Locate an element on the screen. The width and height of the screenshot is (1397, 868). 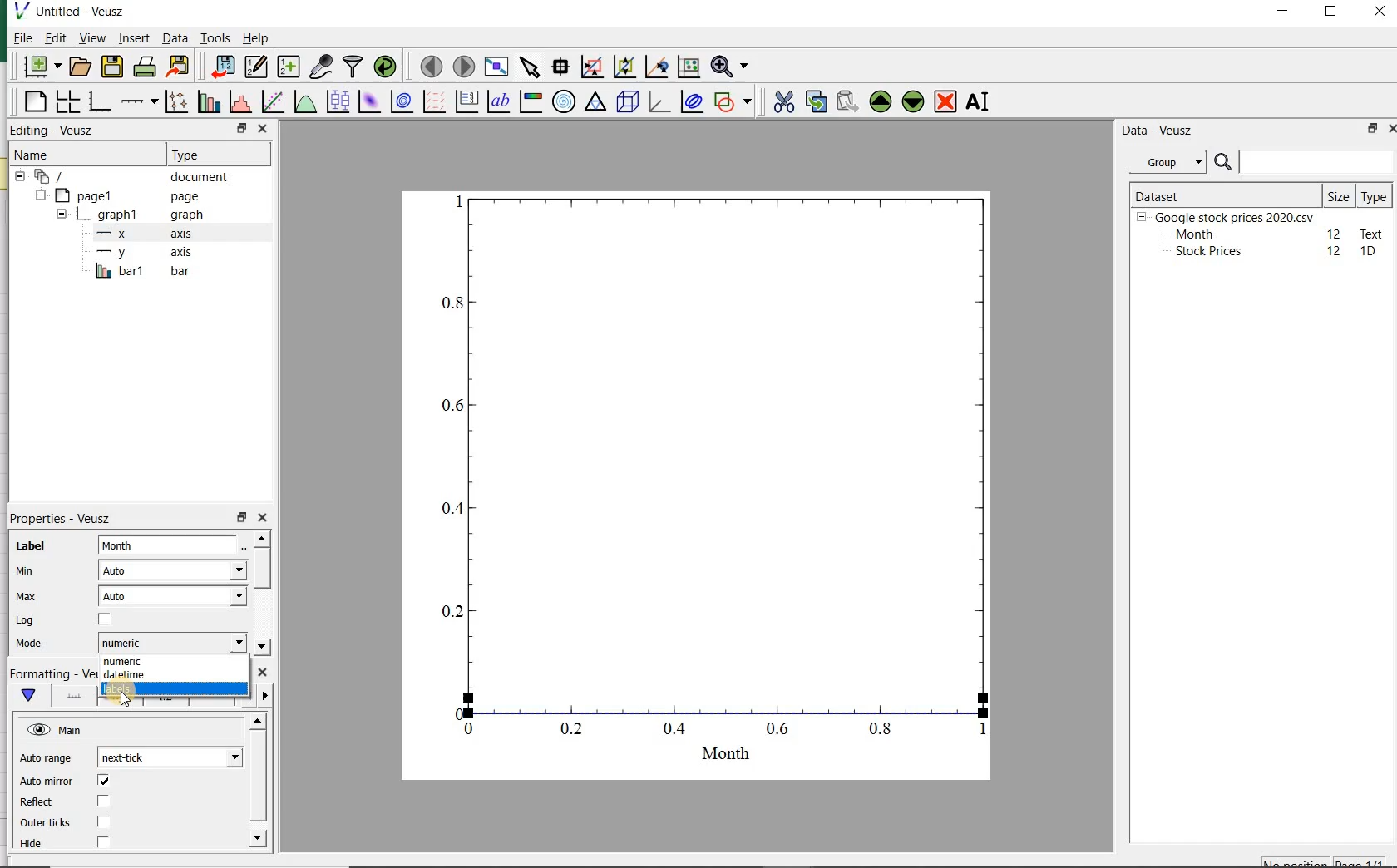
plot a vector field is located at coordinates (432, 103).